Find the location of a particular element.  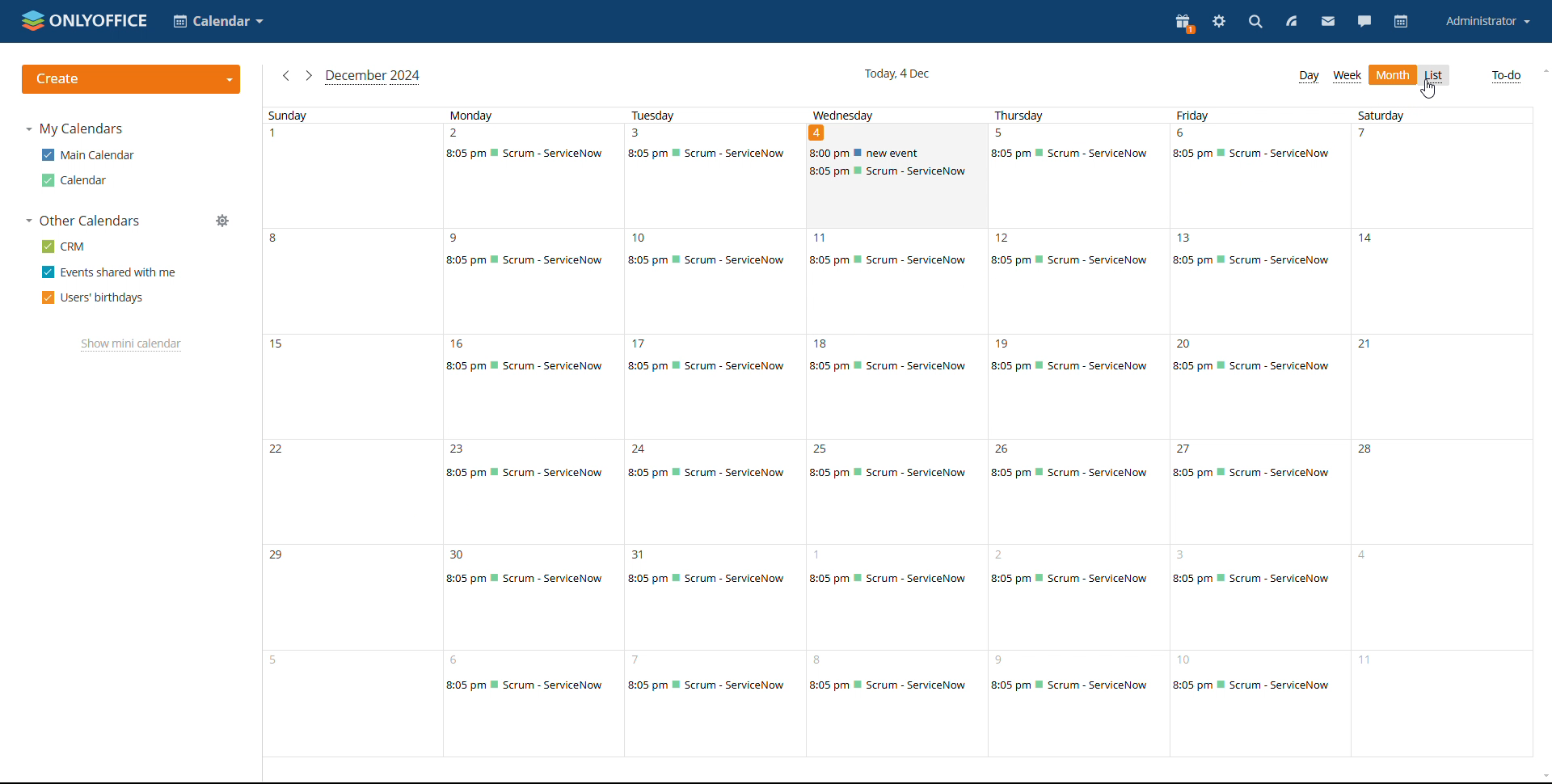

calendar is located at coordinates (73, 180).